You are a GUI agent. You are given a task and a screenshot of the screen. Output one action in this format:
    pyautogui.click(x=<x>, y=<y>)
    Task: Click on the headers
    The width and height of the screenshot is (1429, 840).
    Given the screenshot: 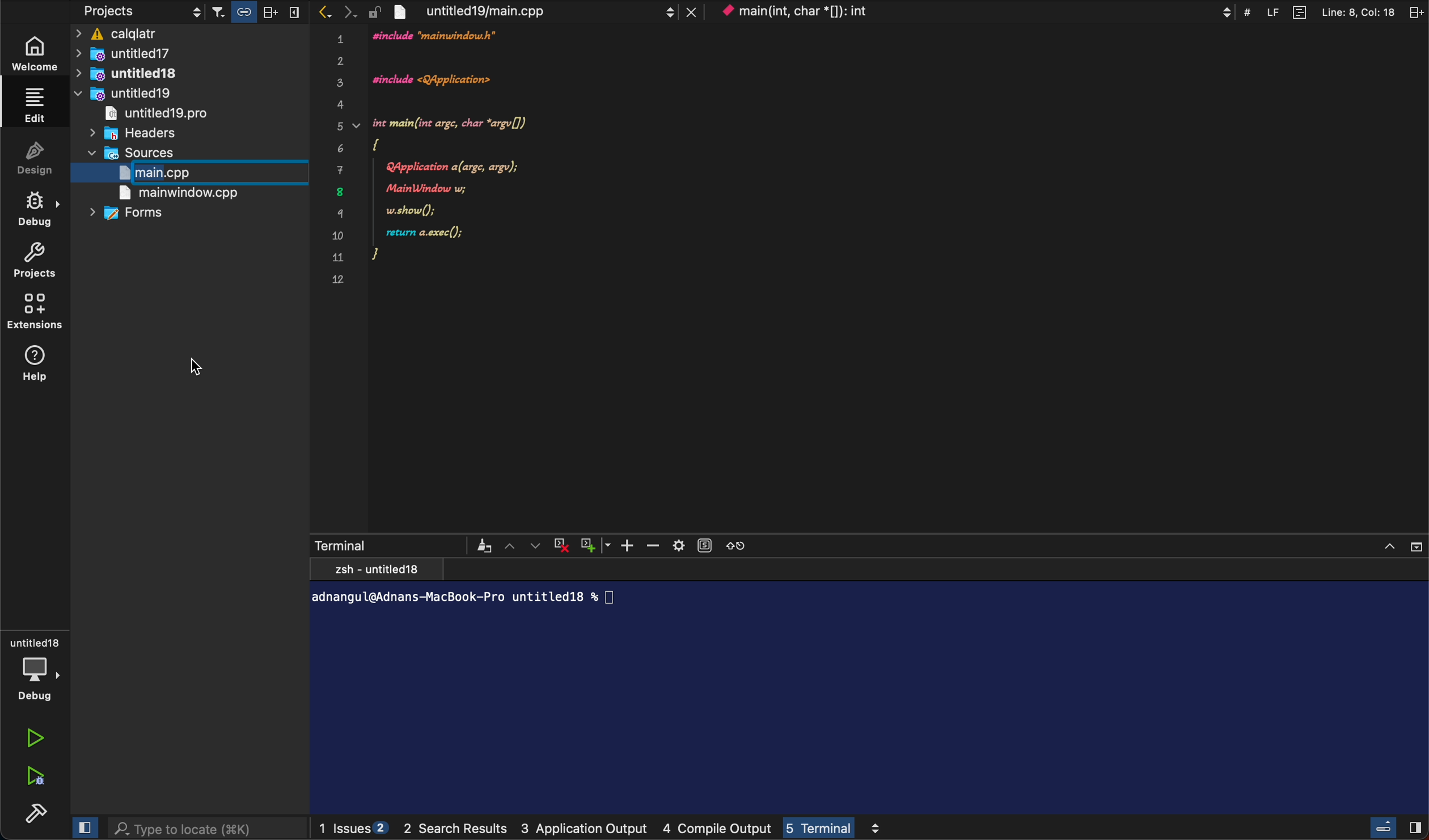 What is the action you would take?
    pyautogui.click(x=139, y=133)
    